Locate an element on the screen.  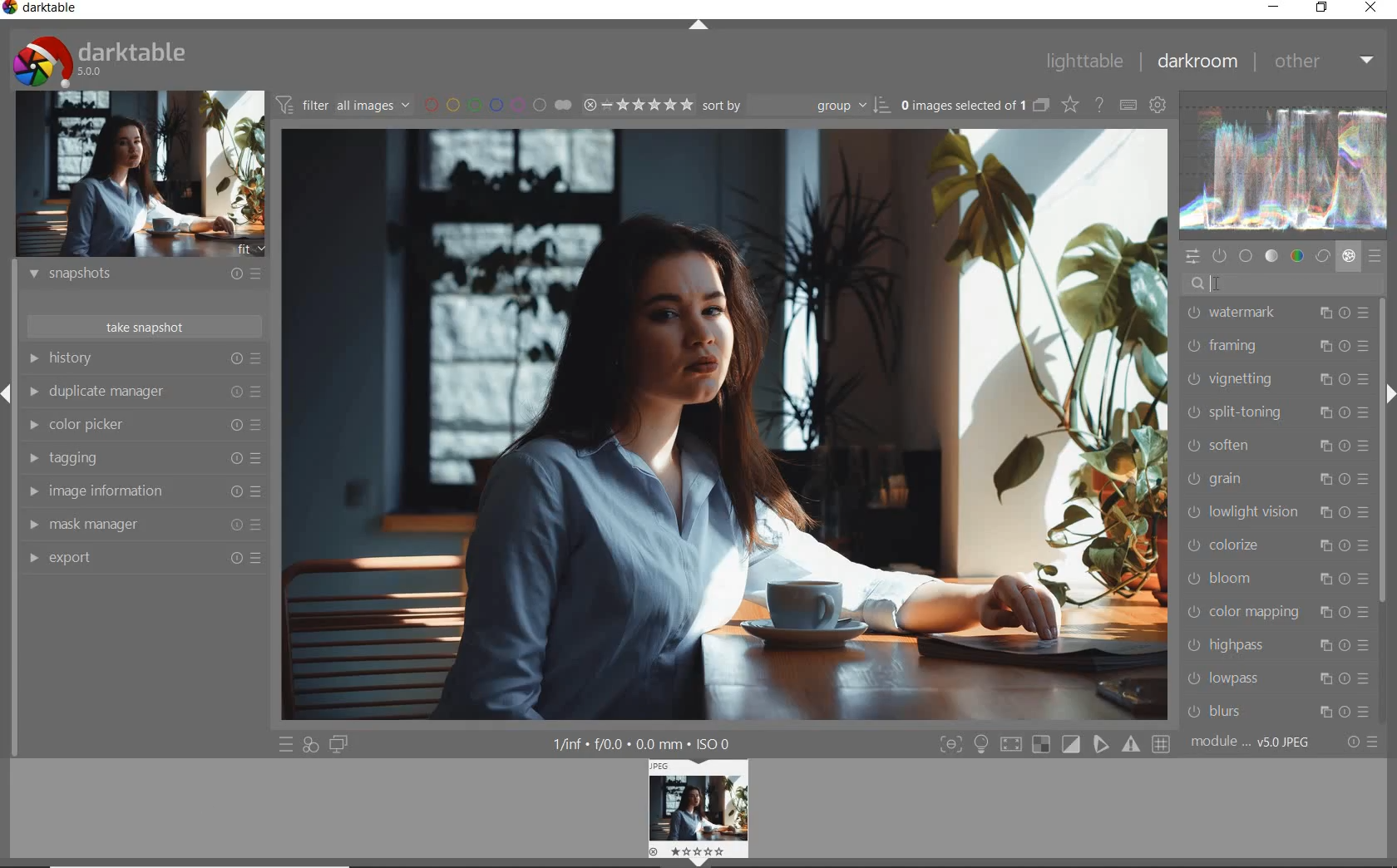
set keyboard shortcuts is located at coordinates (1127, 105).